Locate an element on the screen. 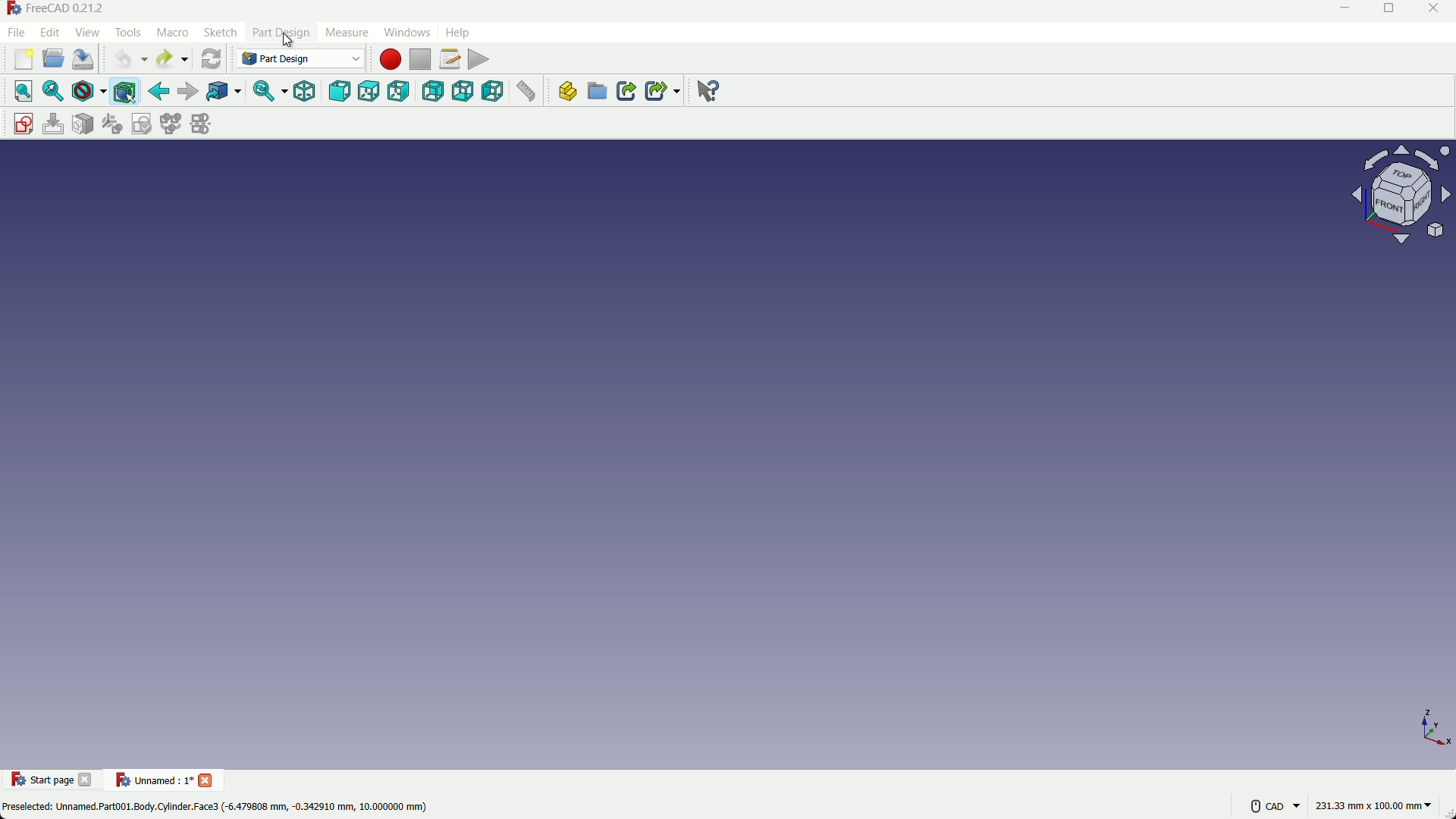 This screenshot has height=819, width=1456. minimize is located at coordinates (1346, 10).